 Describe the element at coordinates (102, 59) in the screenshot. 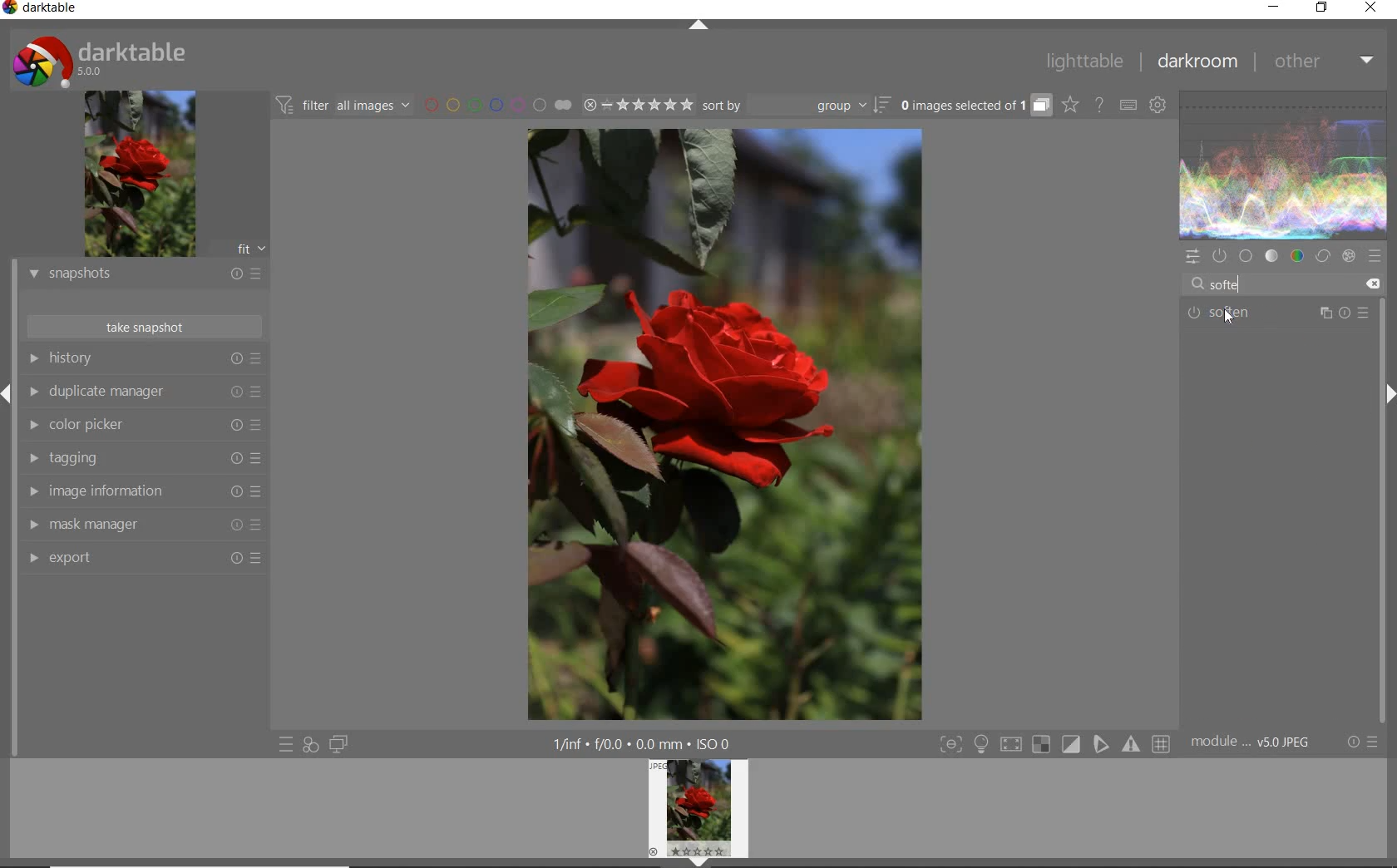

I see `system logo` at that location.